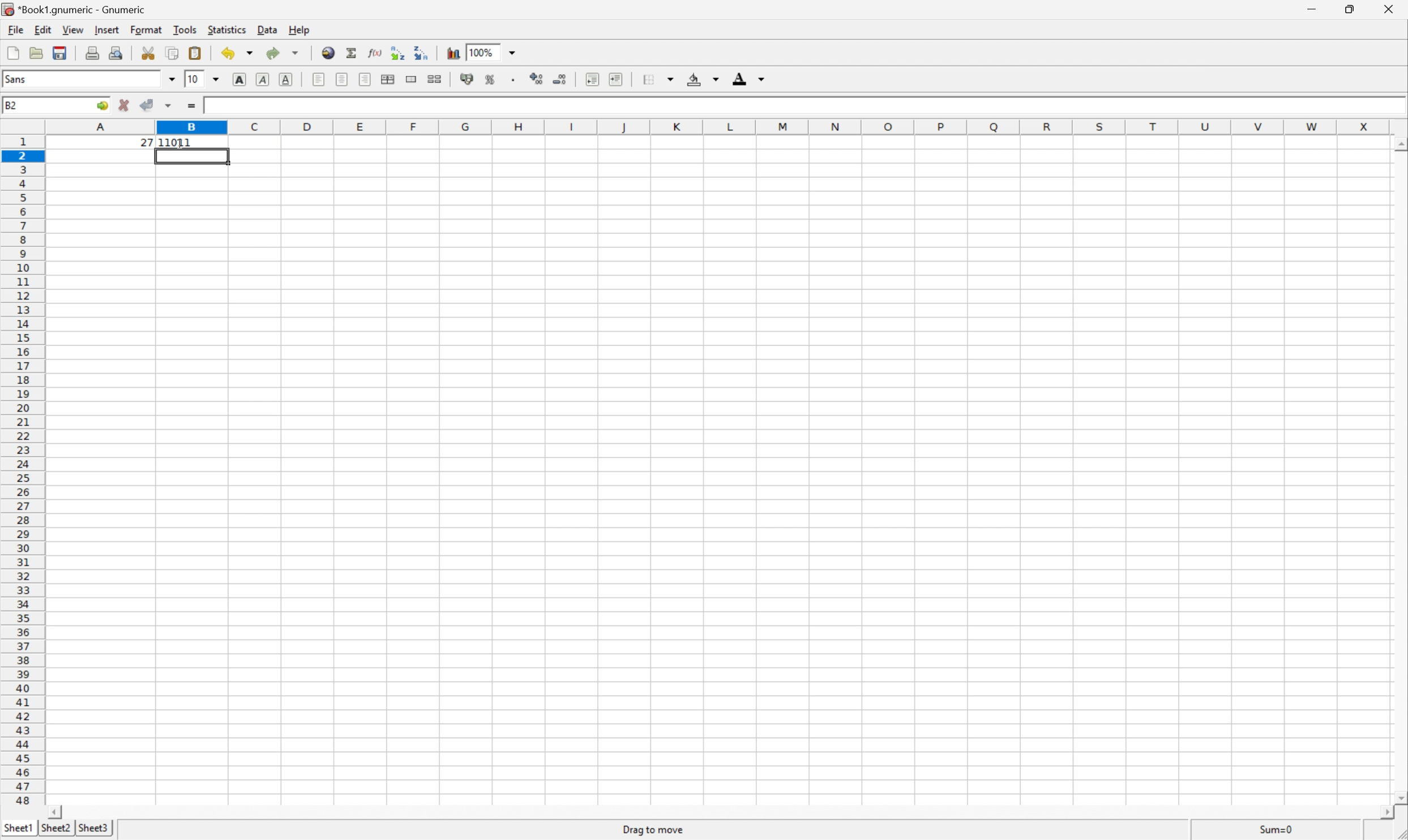  I want to click on Scroll Left, so click(52, 811).